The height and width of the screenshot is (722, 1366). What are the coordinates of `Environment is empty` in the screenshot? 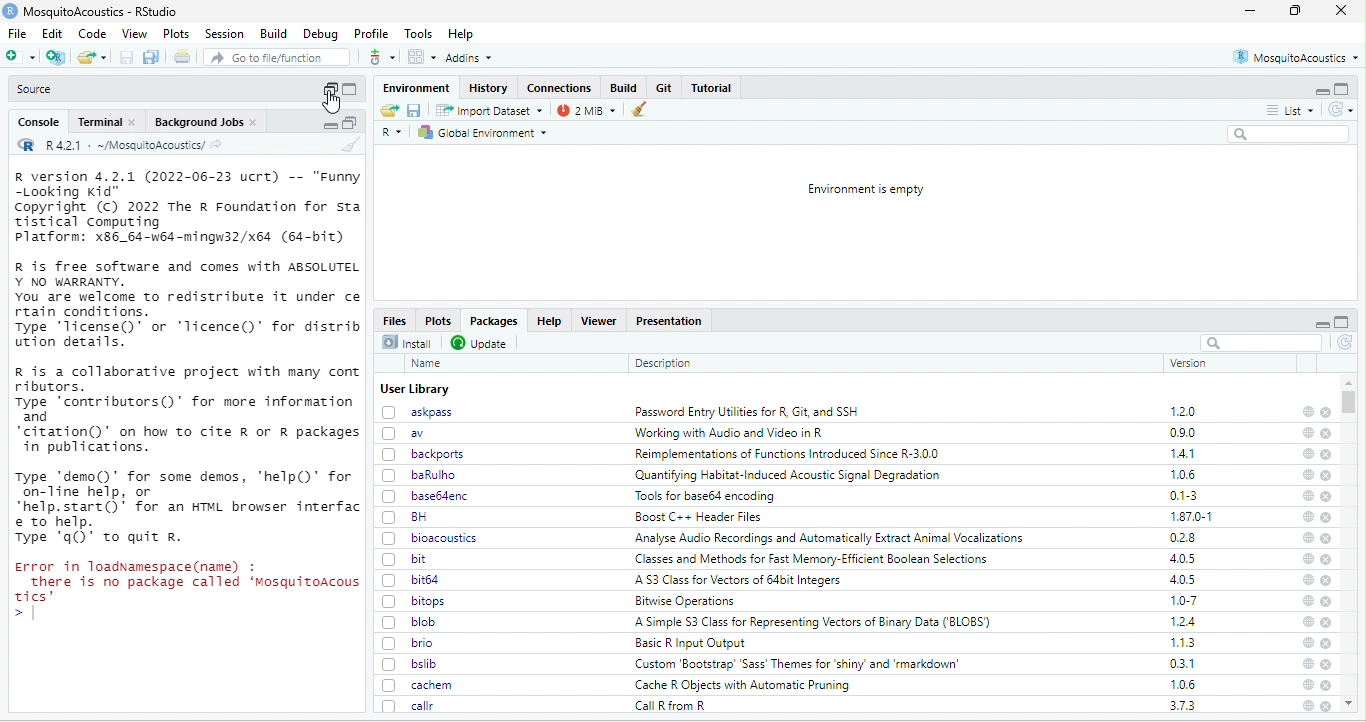 It's located at (868, 189).